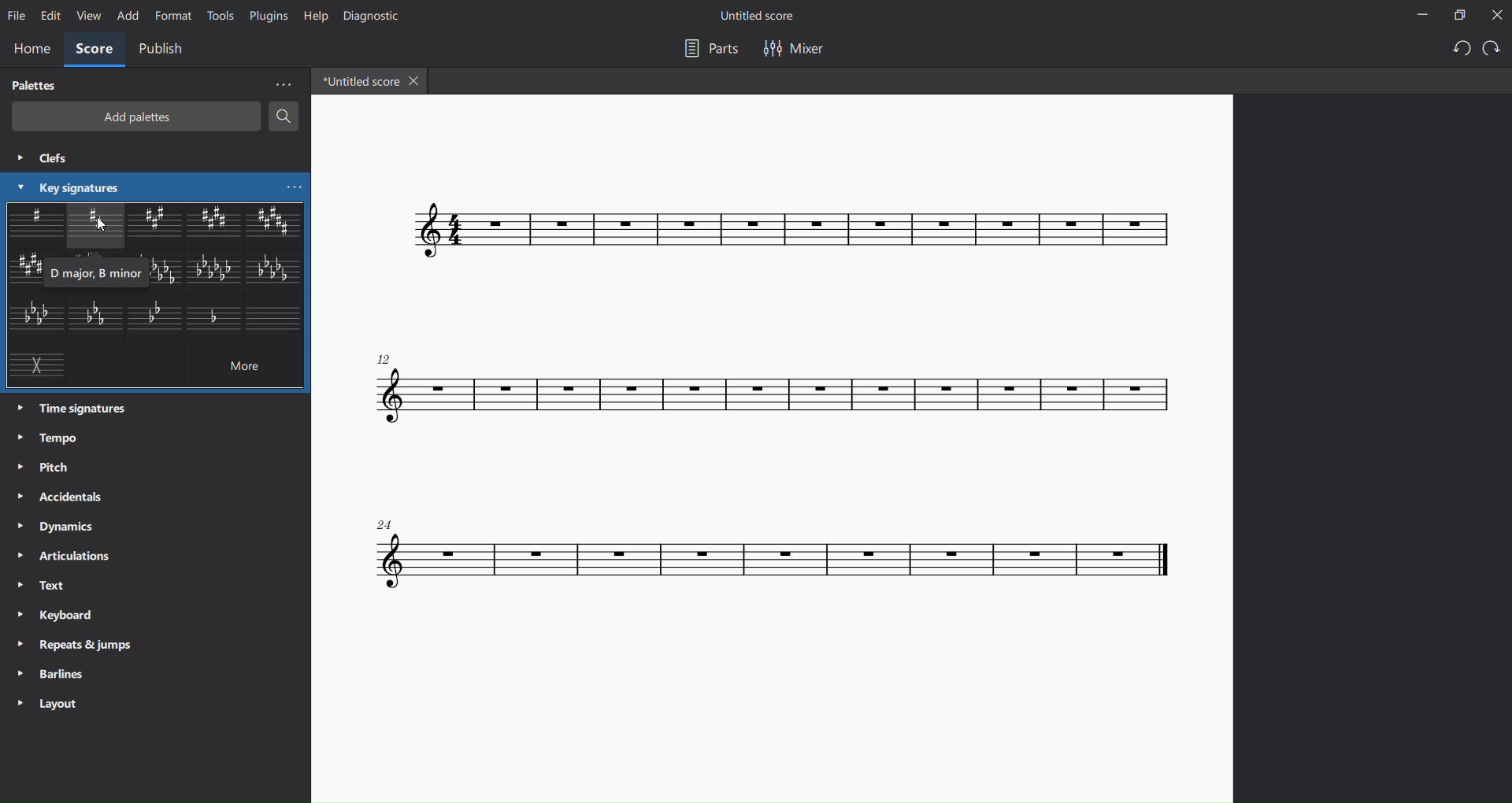 The height and width of the screenshot is (803, 1512). What do you see at coordinates (49, 439) in the screenshot?
I see `tempo` at bounding box center [49, 439].